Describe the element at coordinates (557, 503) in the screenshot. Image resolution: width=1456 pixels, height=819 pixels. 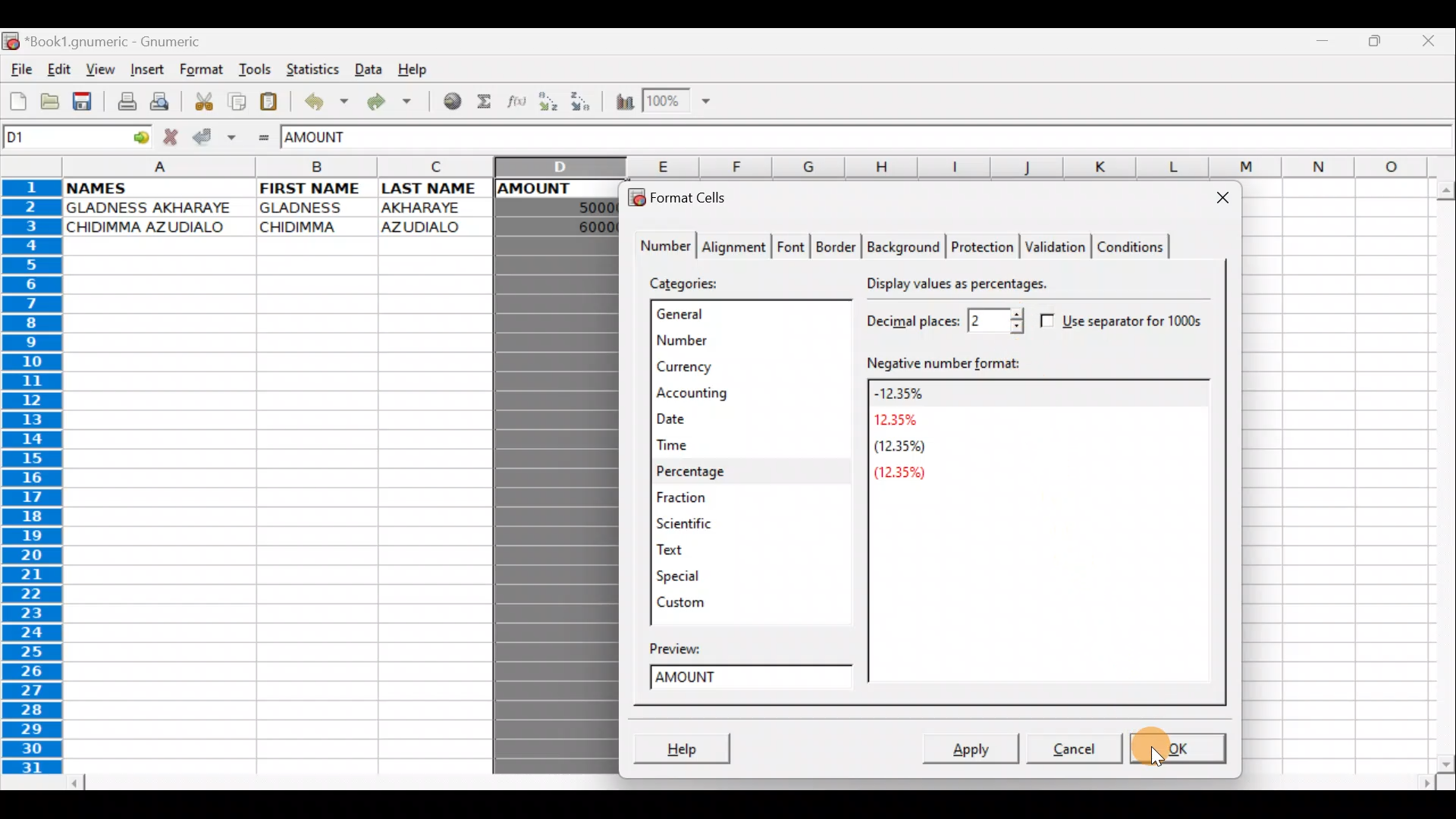
I see `Column D selected` at that location.